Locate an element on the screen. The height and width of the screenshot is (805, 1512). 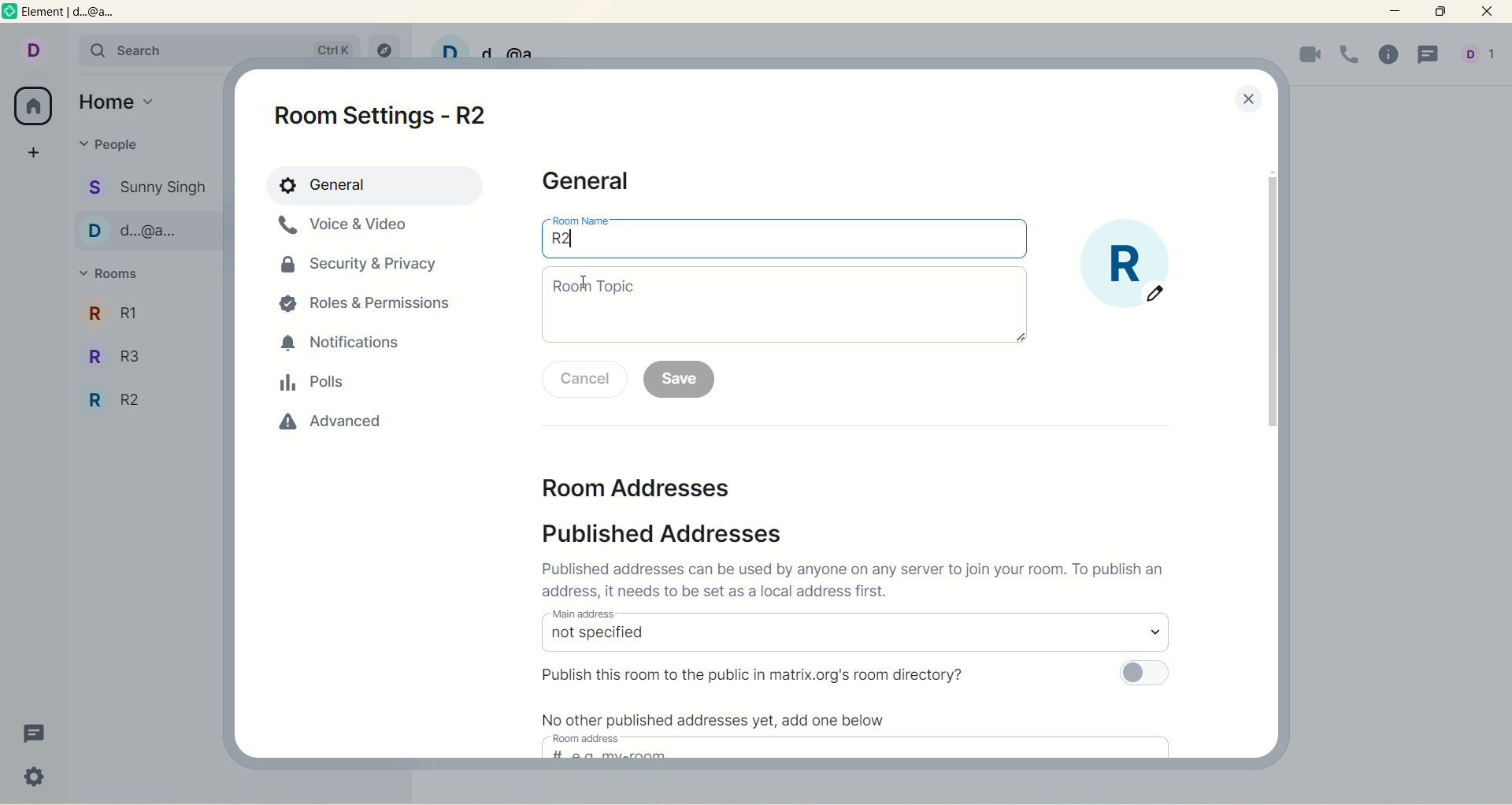
toggle is located at coordinates (1143, 674).